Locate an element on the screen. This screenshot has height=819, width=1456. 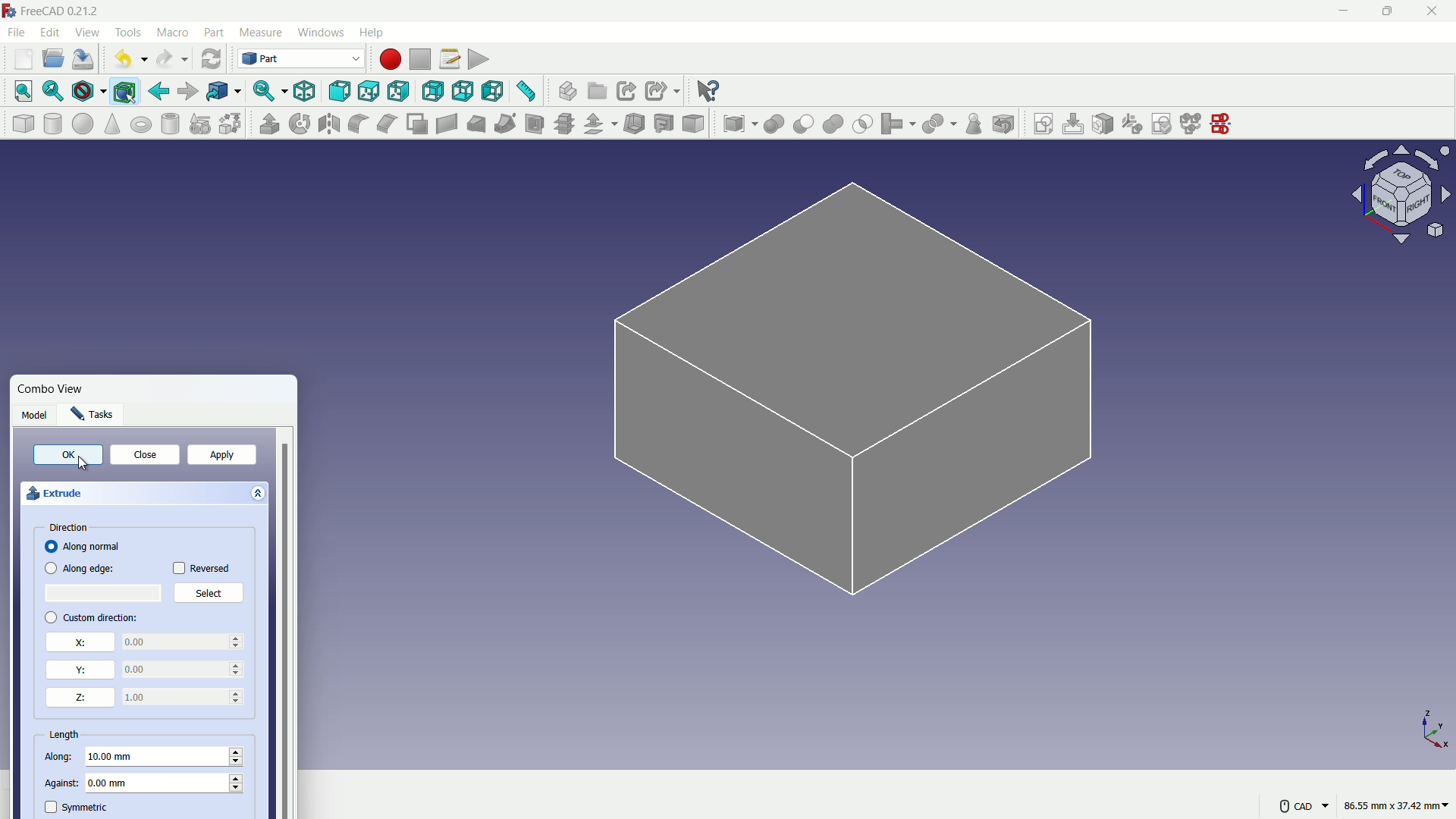
view is located at coordinates (86, 30).